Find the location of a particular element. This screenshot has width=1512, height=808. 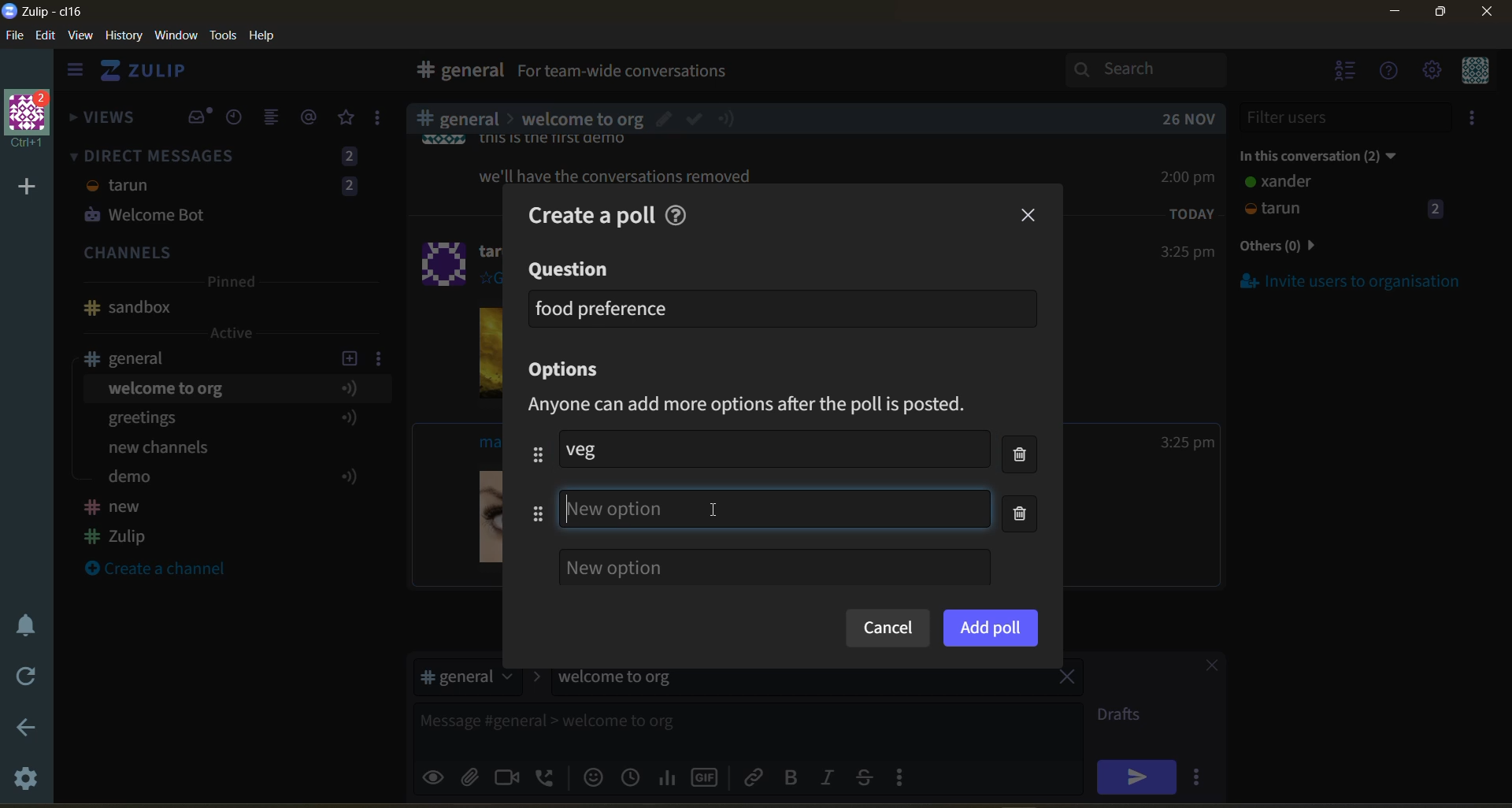

upload files is located at coordinates (475, 775).